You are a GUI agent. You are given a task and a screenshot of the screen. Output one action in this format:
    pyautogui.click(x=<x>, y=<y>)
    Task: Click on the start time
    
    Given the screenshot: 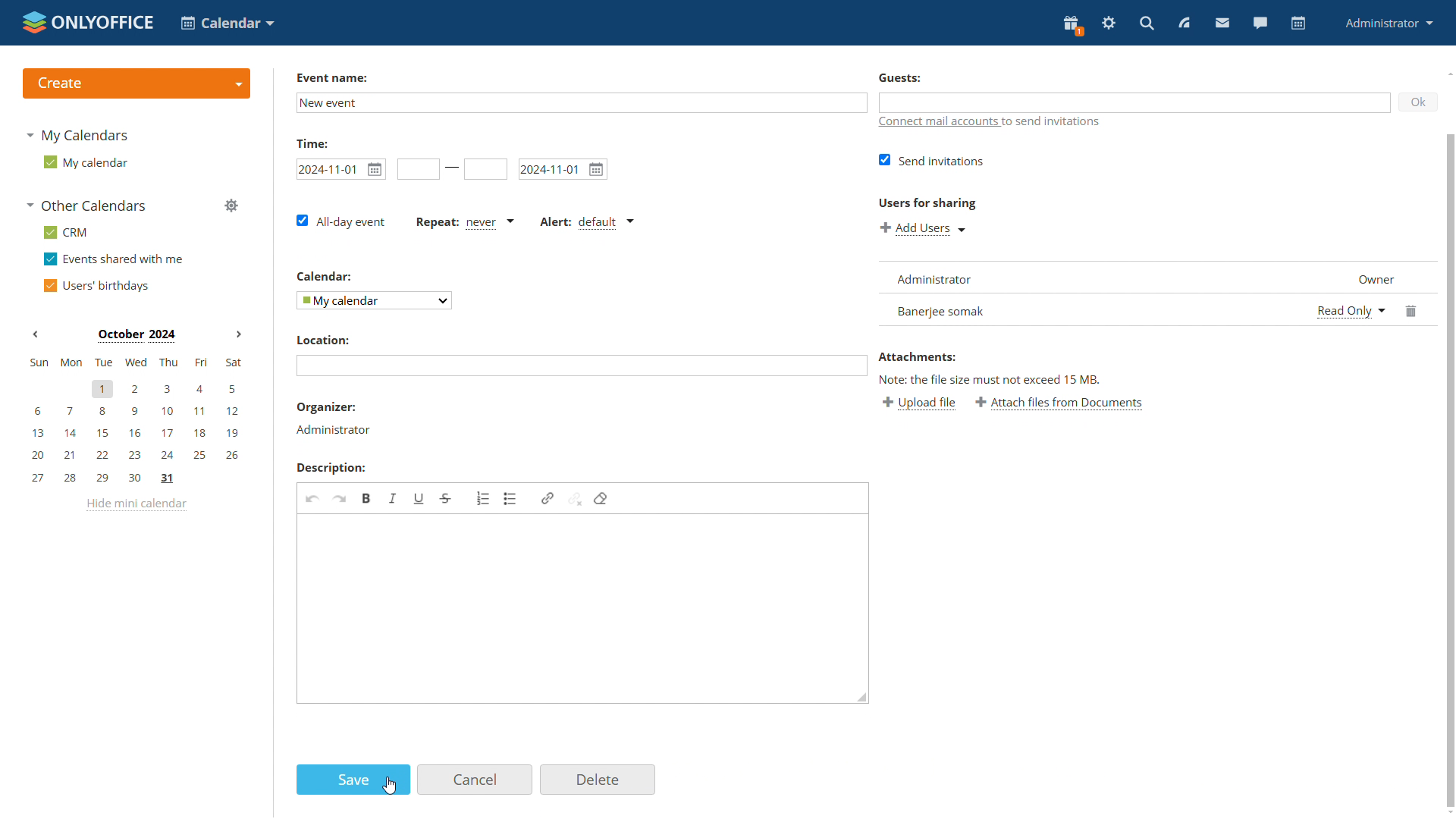 What is the action you would take?
    pyautogui.click(x=418, y=170)
    